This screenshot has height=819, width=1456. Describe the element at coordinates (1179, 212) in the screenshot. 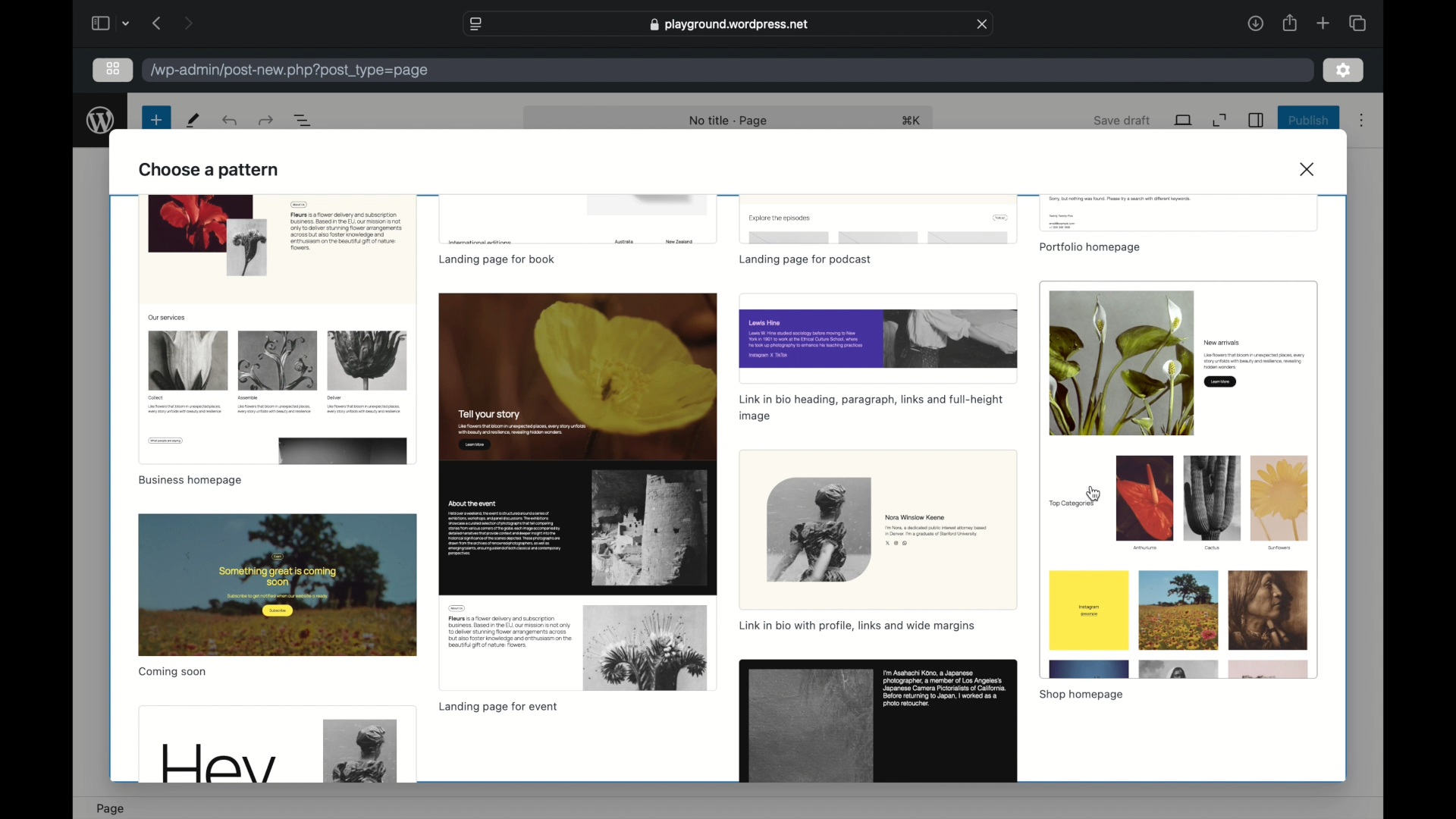

I see `preview` at that location.